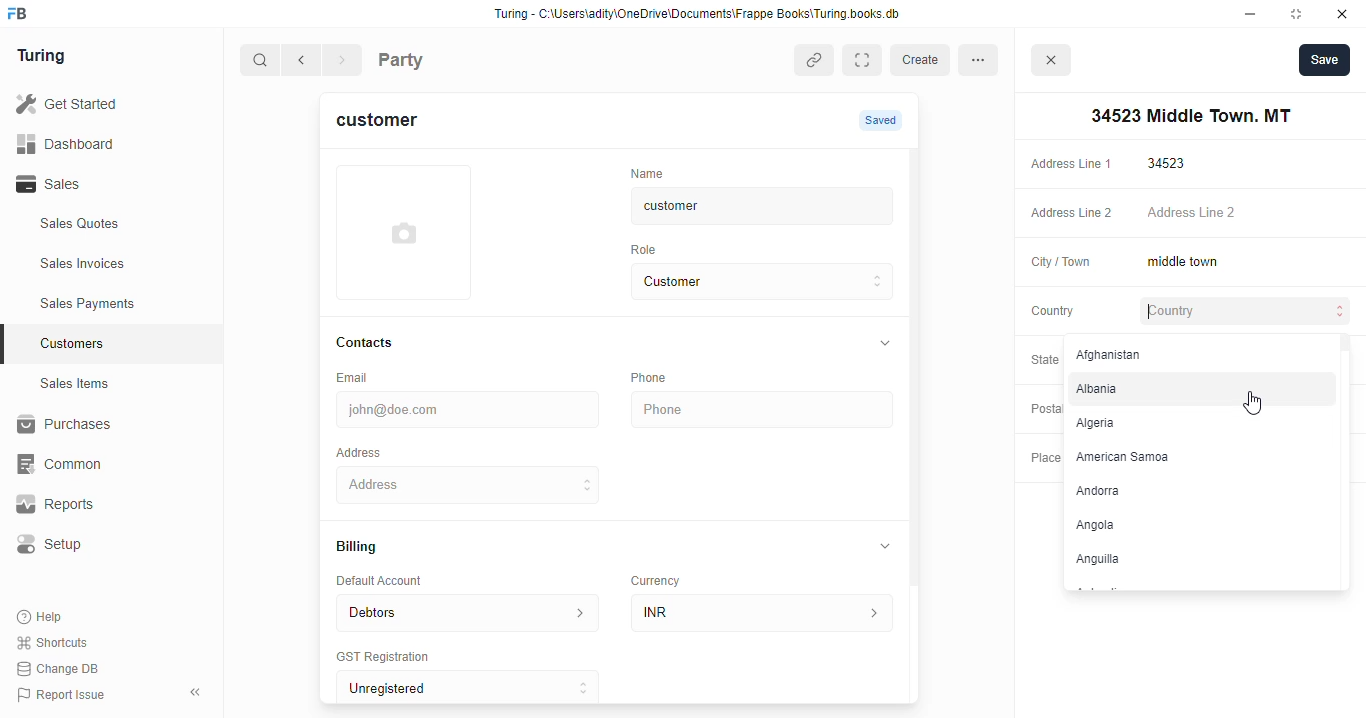 Image resolution: width=1366 pixels, height=718 pixels. Describe the element at coordinates (652, 172) in the screenshot. I see `‘Name` at that location.